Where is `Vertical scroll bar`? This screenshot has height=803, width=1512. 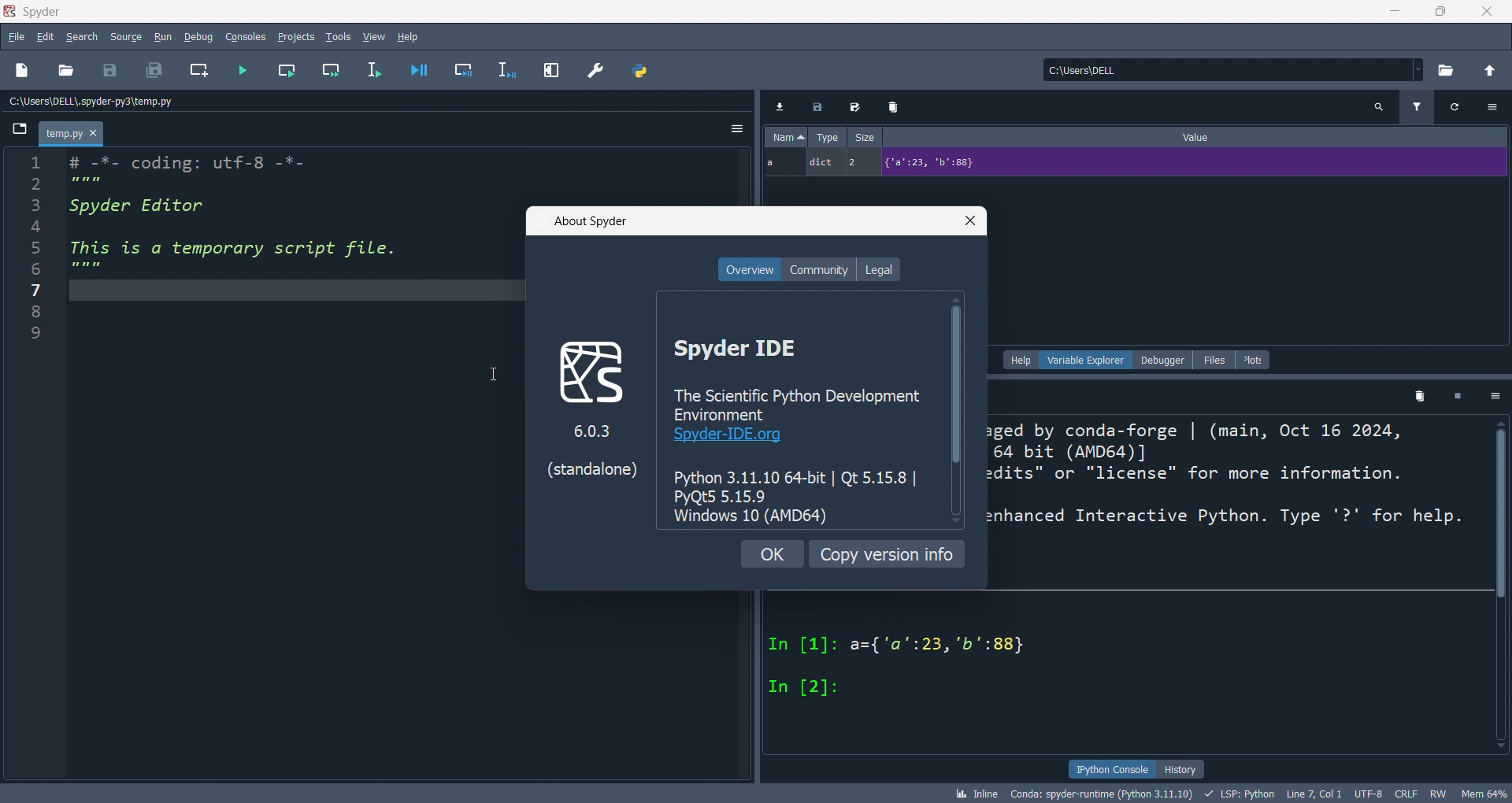 Vertical scroll bar is located at coordinates (956, 410).